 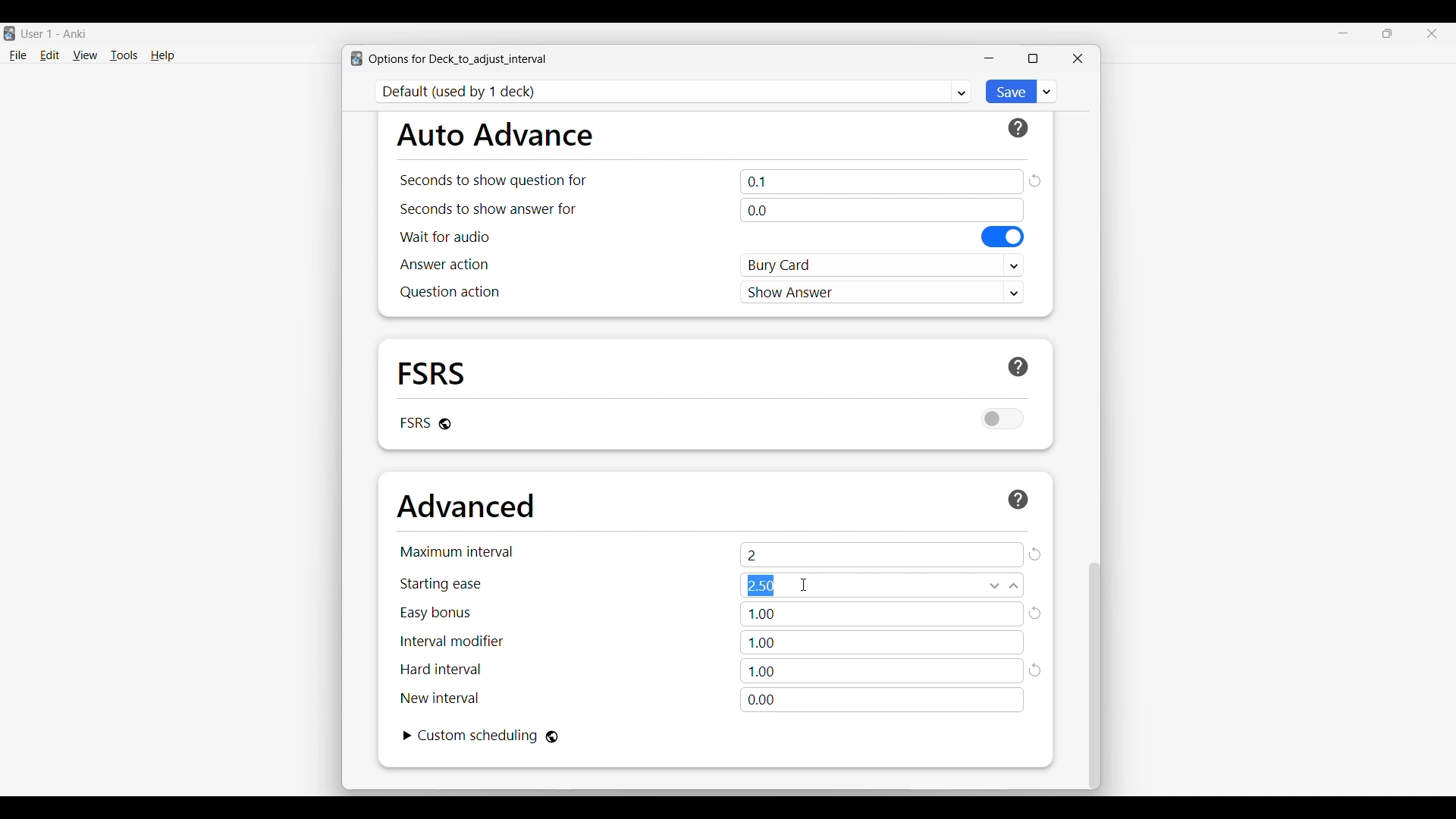 What do you see at coordinates (1018, 499) in the screenshot?
I see `Learn more about respective section` at bounding box center [1018, 499].